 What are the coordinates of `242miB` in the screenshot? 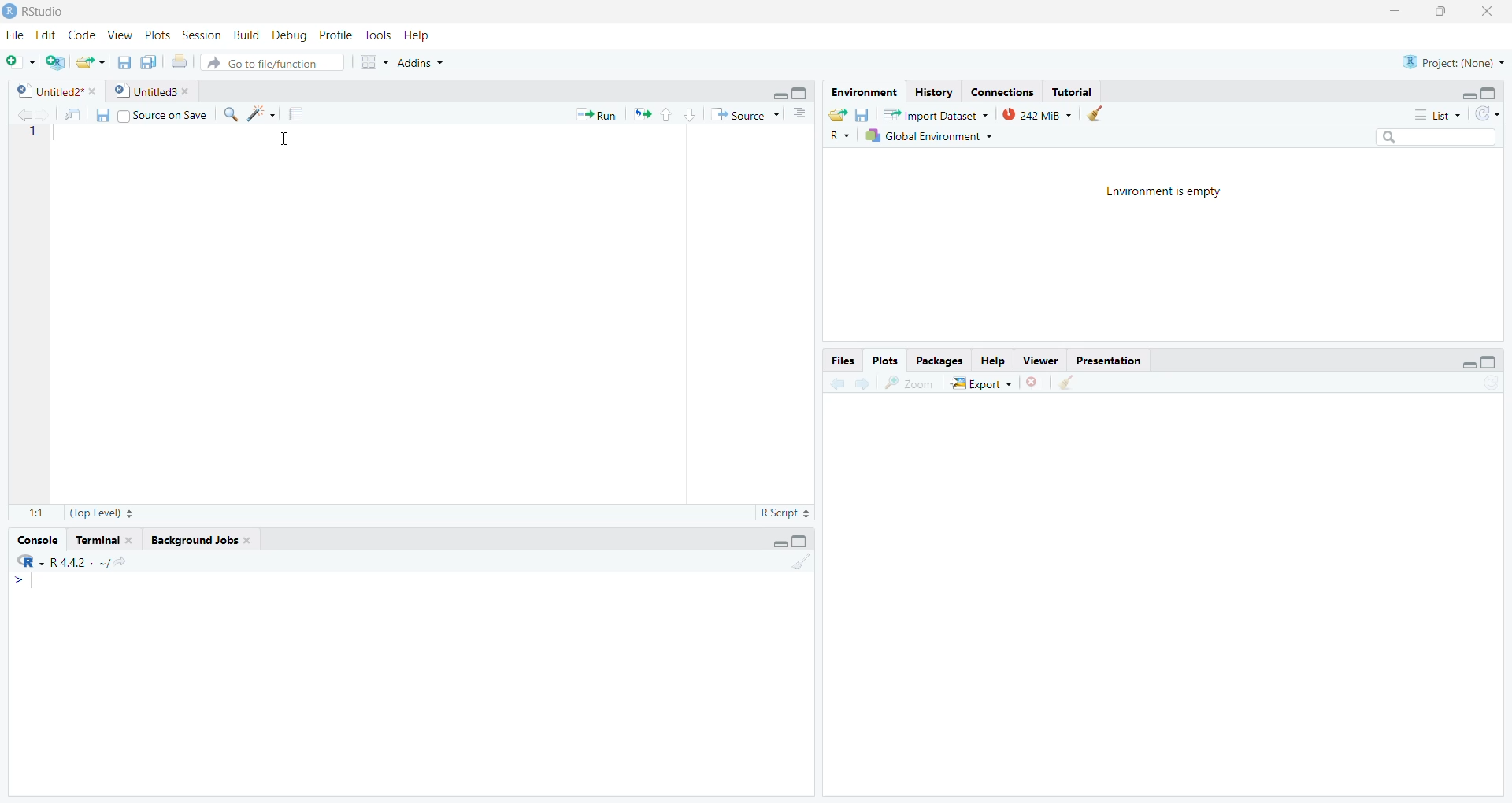 It's located at (1037, 113).